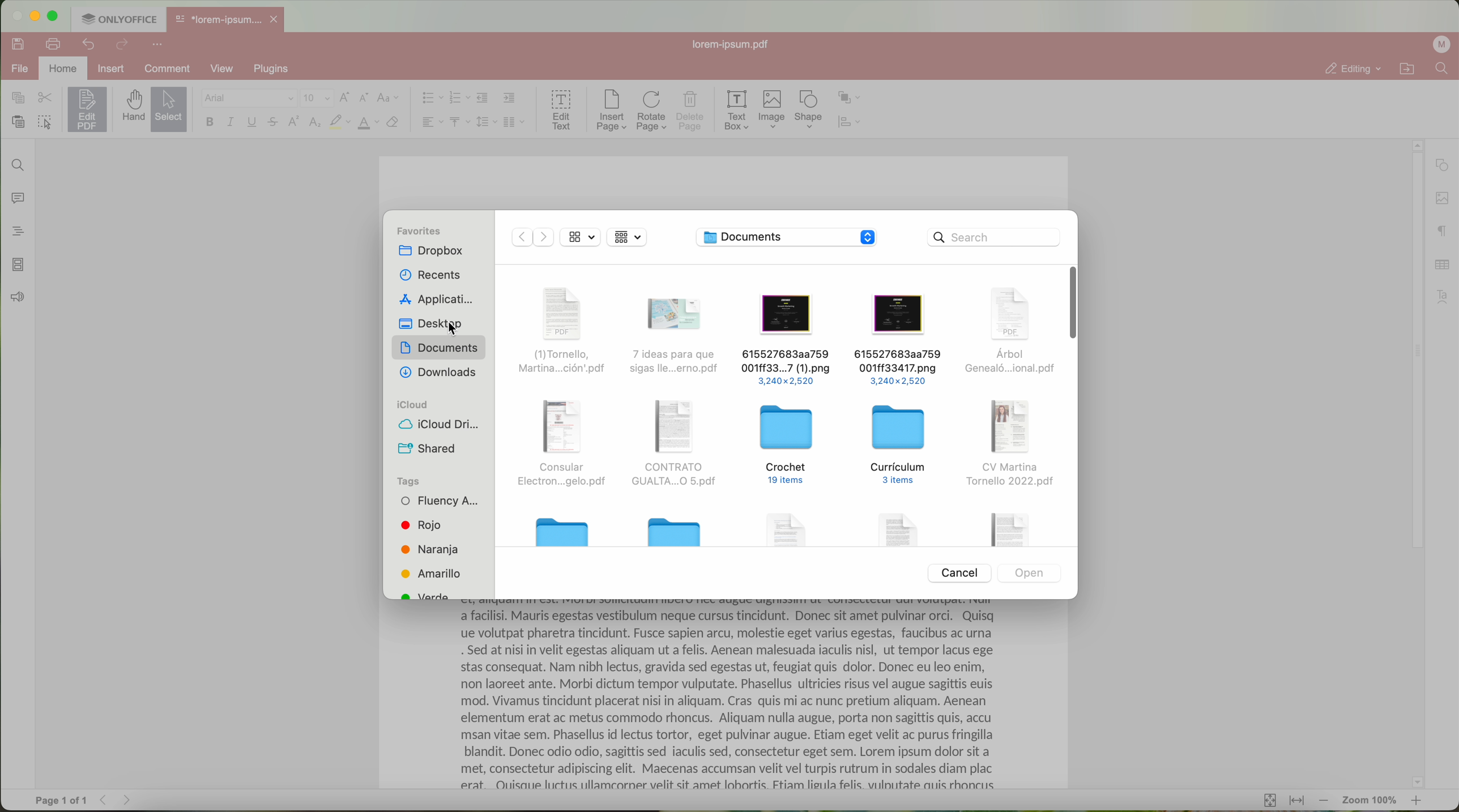  What do you see at coordinates (580, 236) in the screenshot?
I see `view` at bounding box center [580, 236].